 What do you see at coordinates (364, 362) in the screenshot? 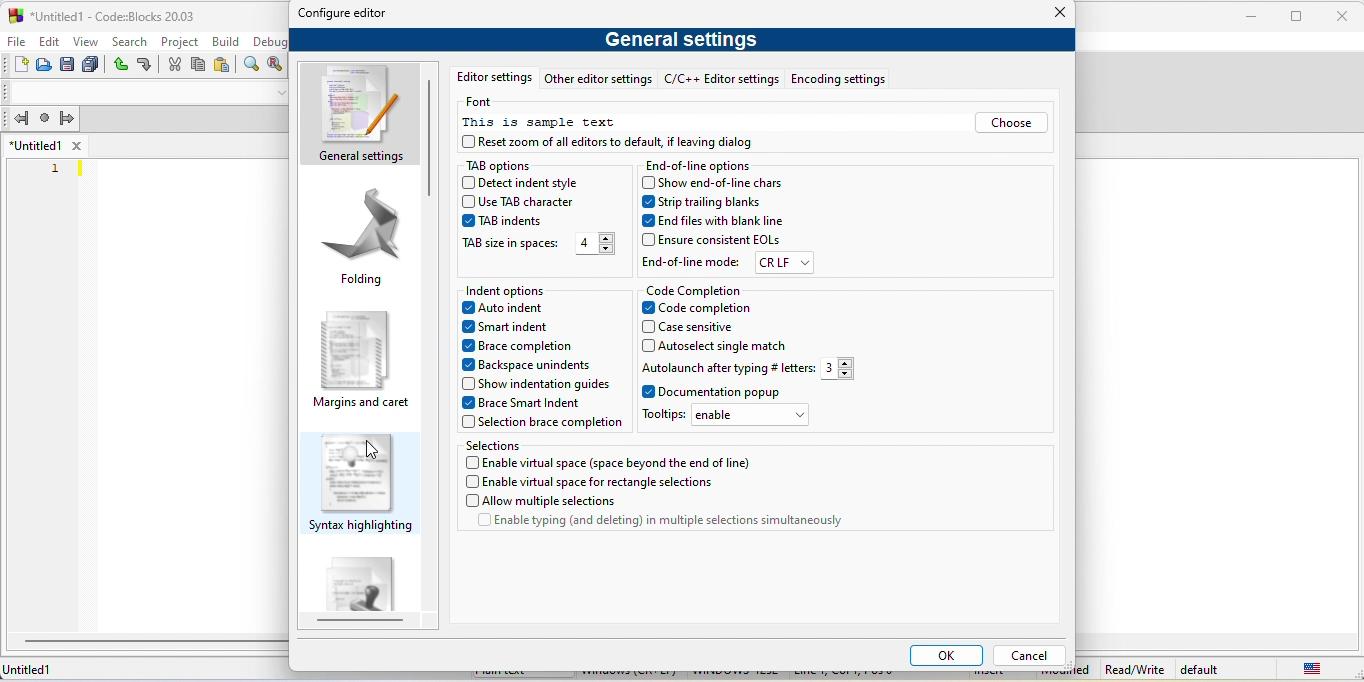
I see `margins and caret` at bounding box center [364, 362].